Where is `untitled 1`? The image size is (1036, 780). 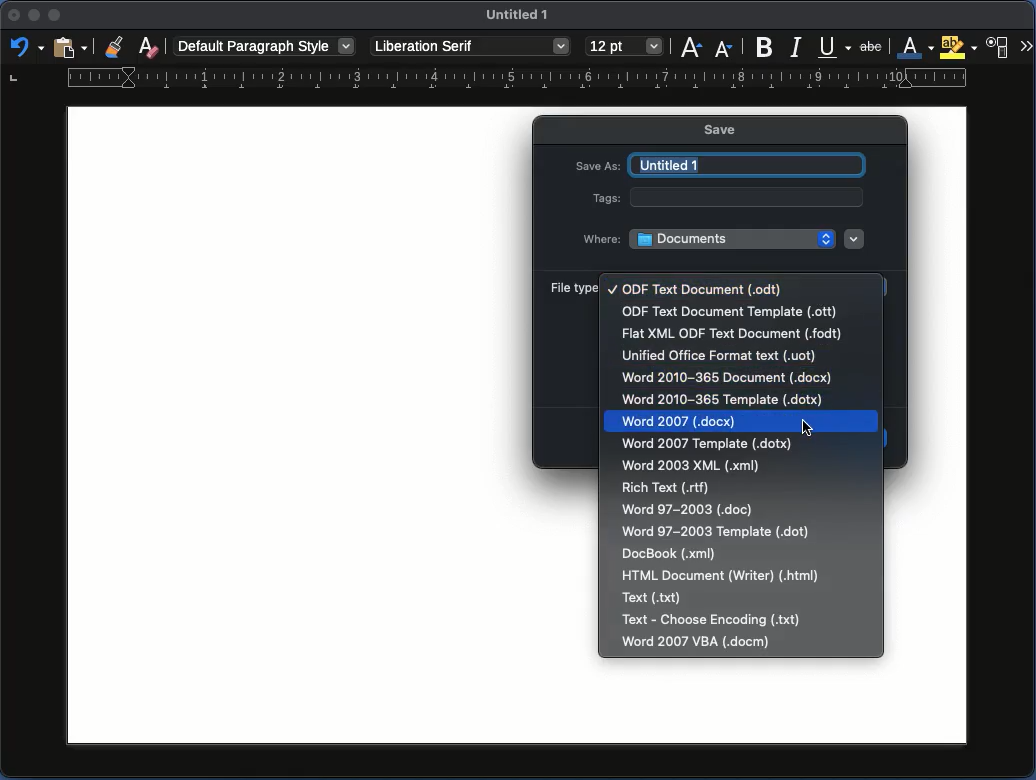 untitled 1 is located at coordinates (742, 165).